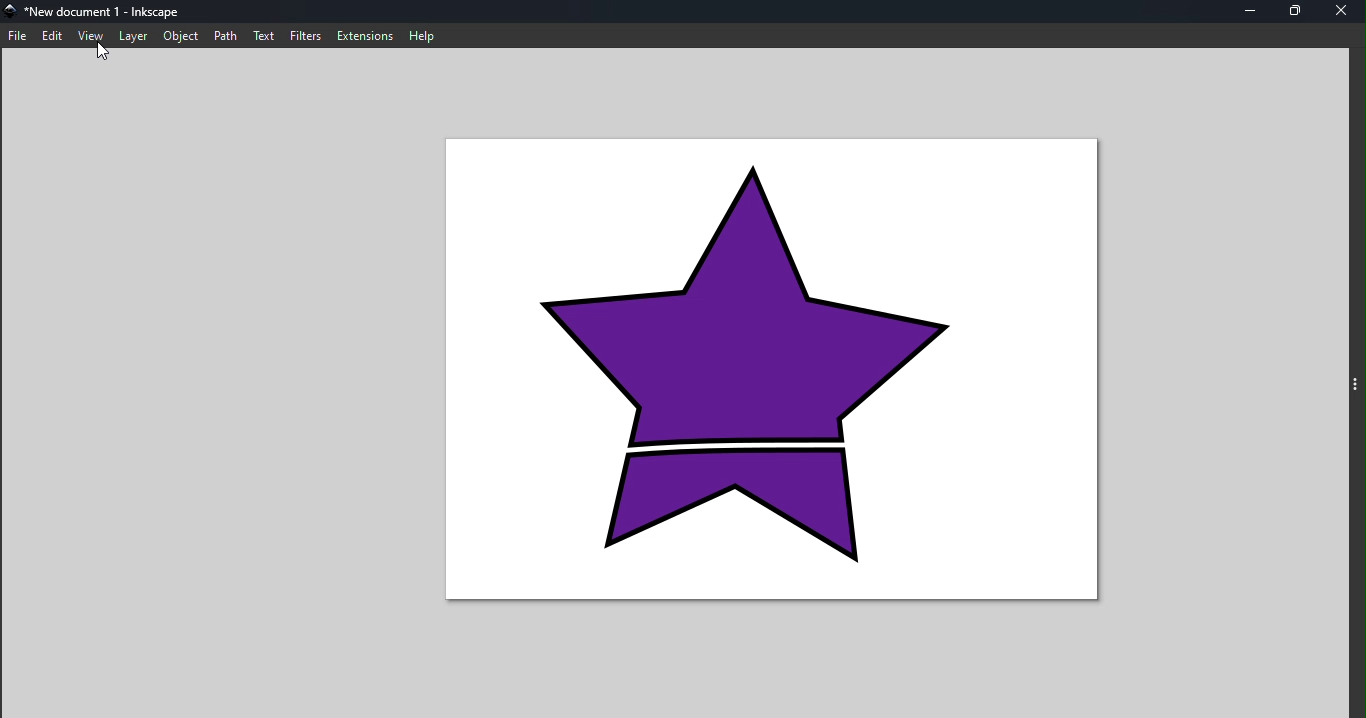 The height and width of the screenshot is (718, 1366). Describe the element at coordinates (107, 56) in the screenshot. I see `Cursor` at that location.